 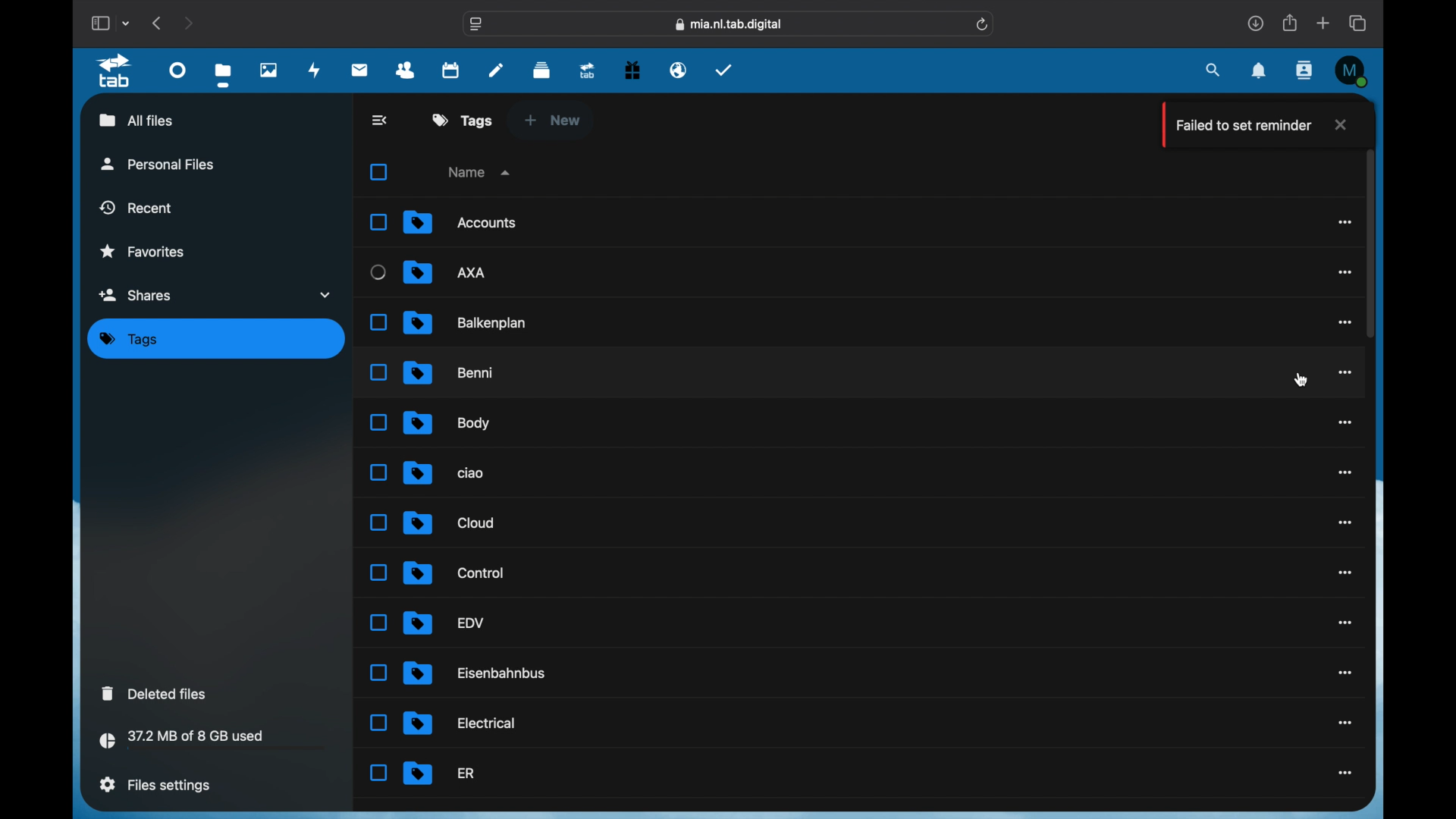 I want to click on more options, so click(x=1346, y=723).